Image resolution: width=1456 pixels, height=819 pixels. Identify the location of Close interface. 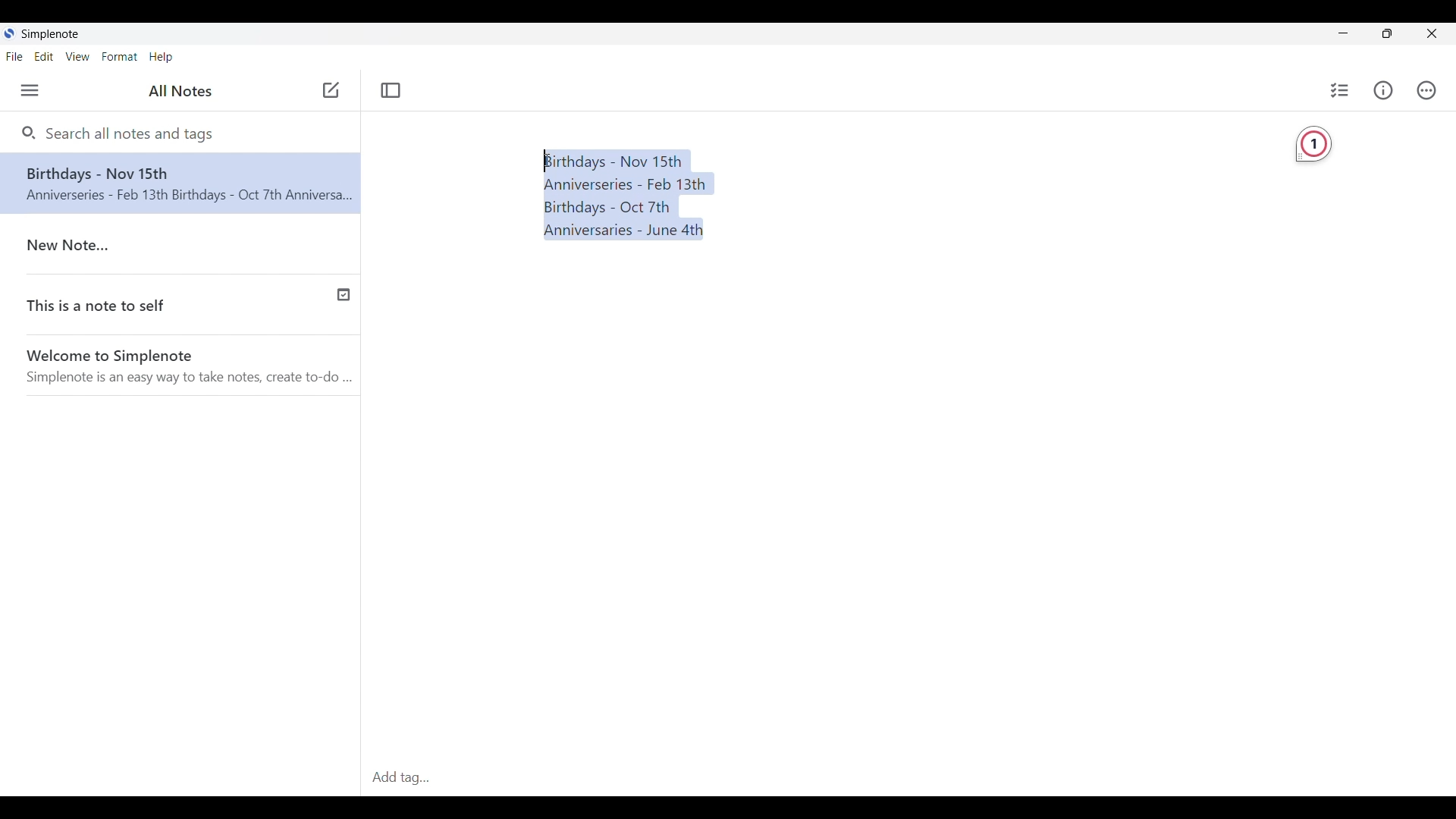
(1432, 33).